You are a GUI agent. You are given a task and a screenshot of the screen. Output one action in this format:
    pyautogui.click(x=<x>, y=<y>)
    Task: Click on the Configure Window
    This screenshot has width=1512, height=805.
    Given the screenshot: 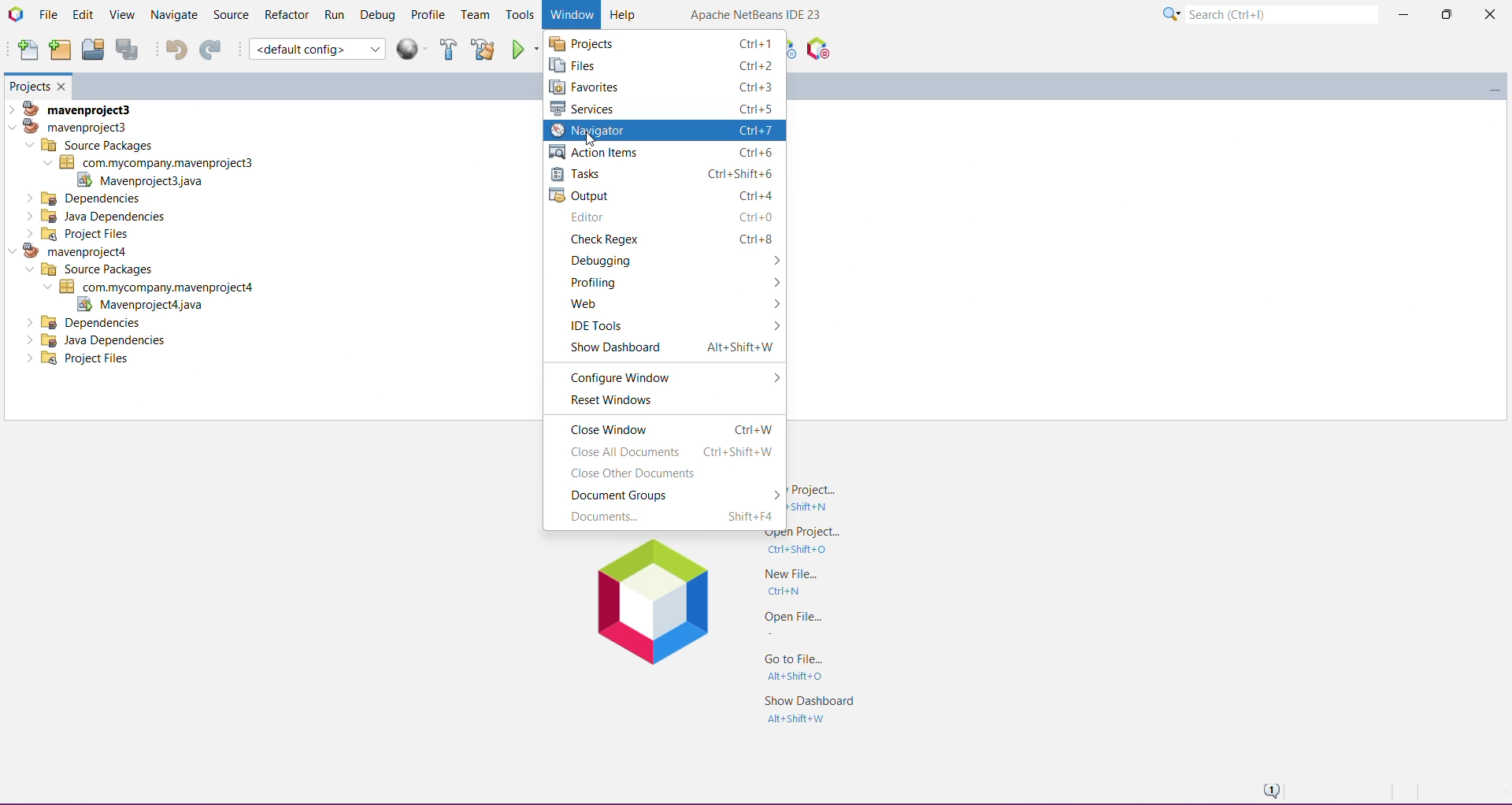 What is the action you would take?
    pyautogui.click(x=671, y=375)
    